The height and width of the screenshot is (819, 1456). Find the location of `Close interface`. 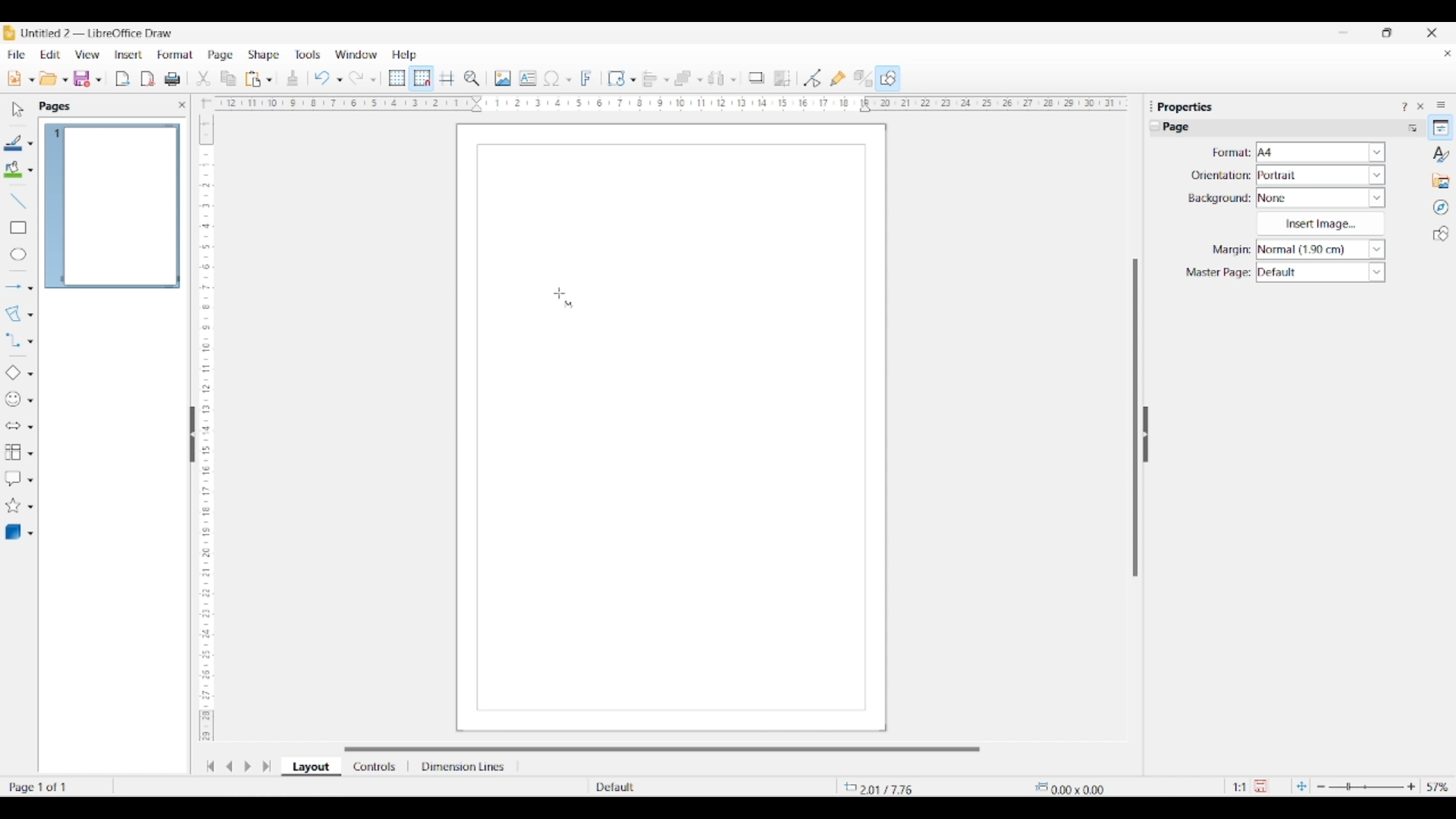

Close interface is located at coordinates (1432, 33).